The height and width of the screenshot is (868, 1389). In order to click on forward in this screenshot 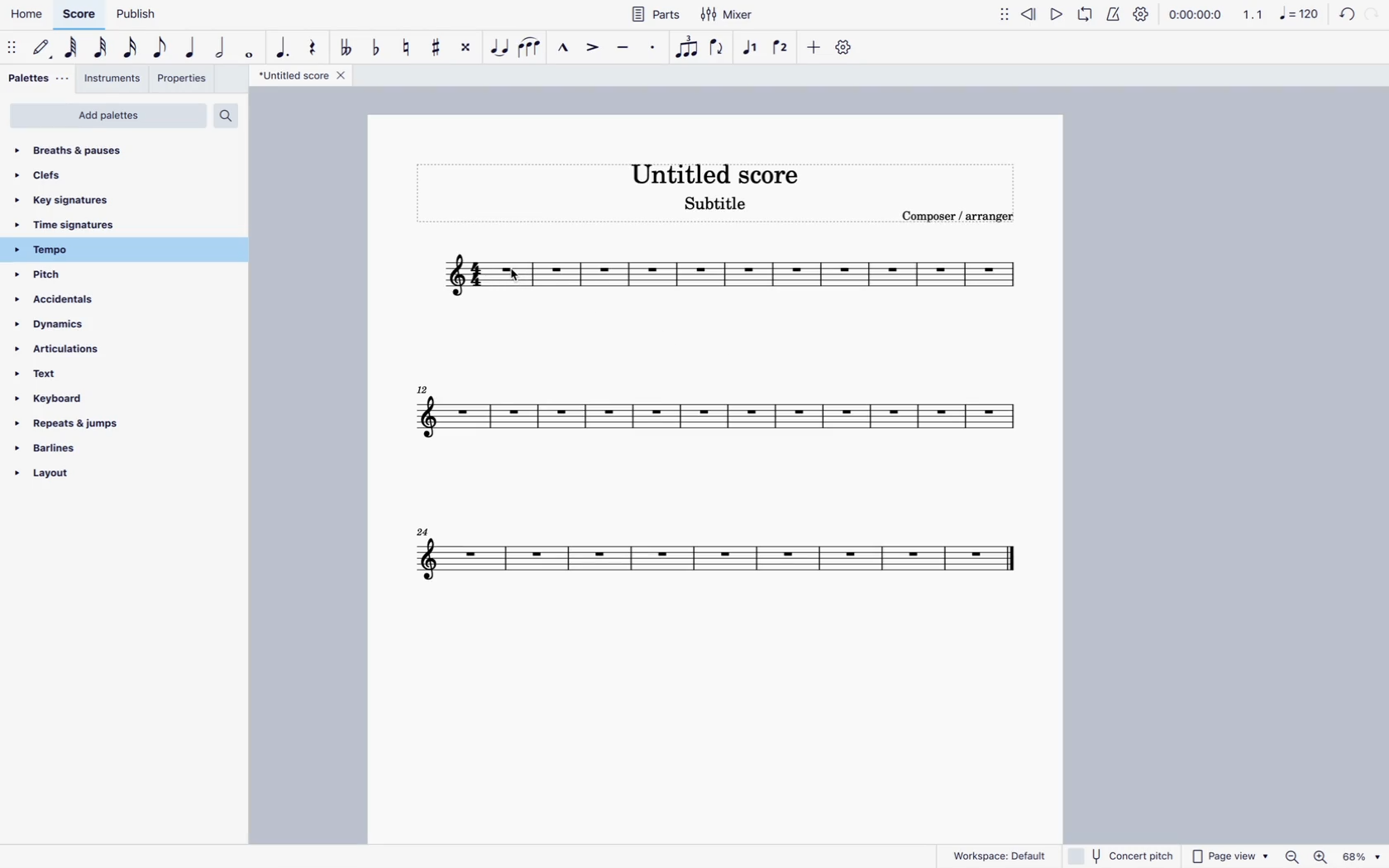, I will do `click(1375, 16)`.